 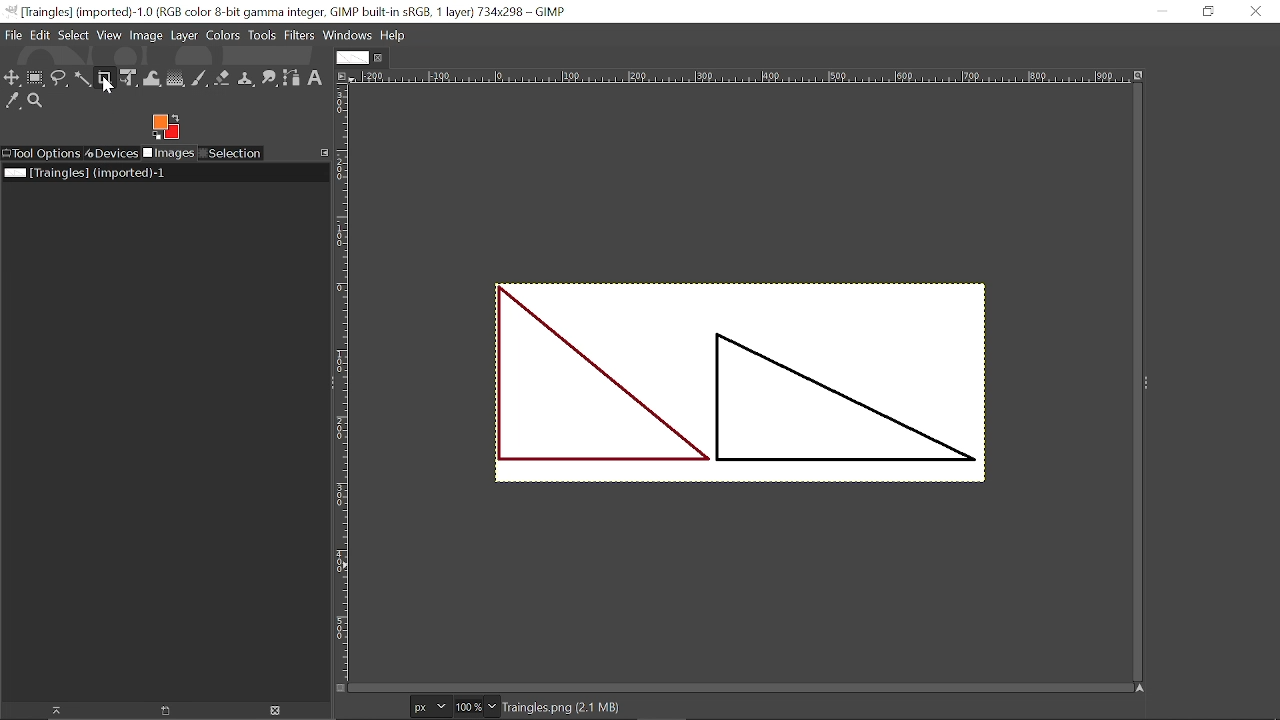 What do you see at coordinates (1141, 688) in the screenshot?
I see `Navigate the image display` at bounding box center [1141, 688].